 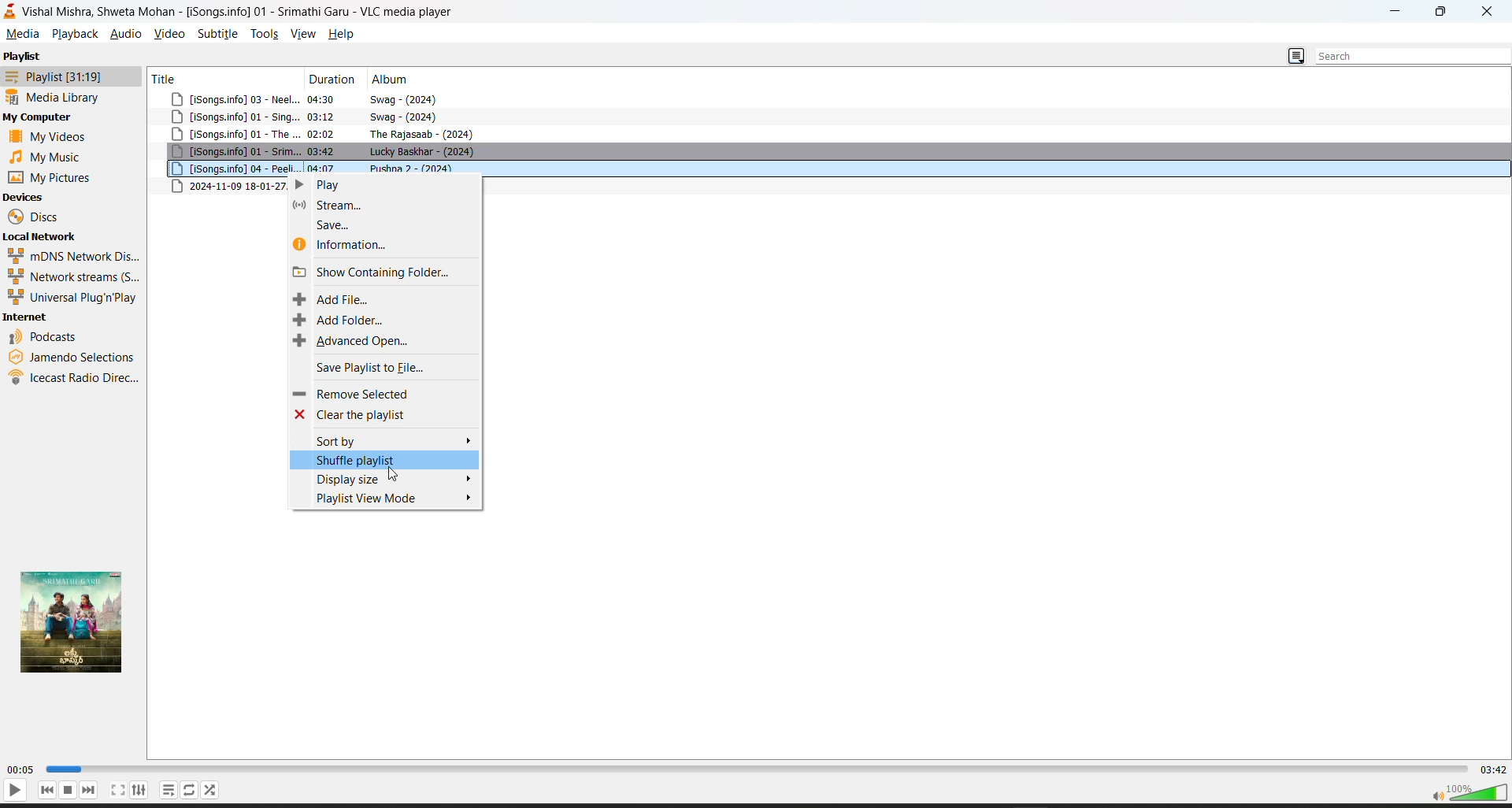 I want to click on 02:02, so click(x=324, y=133).